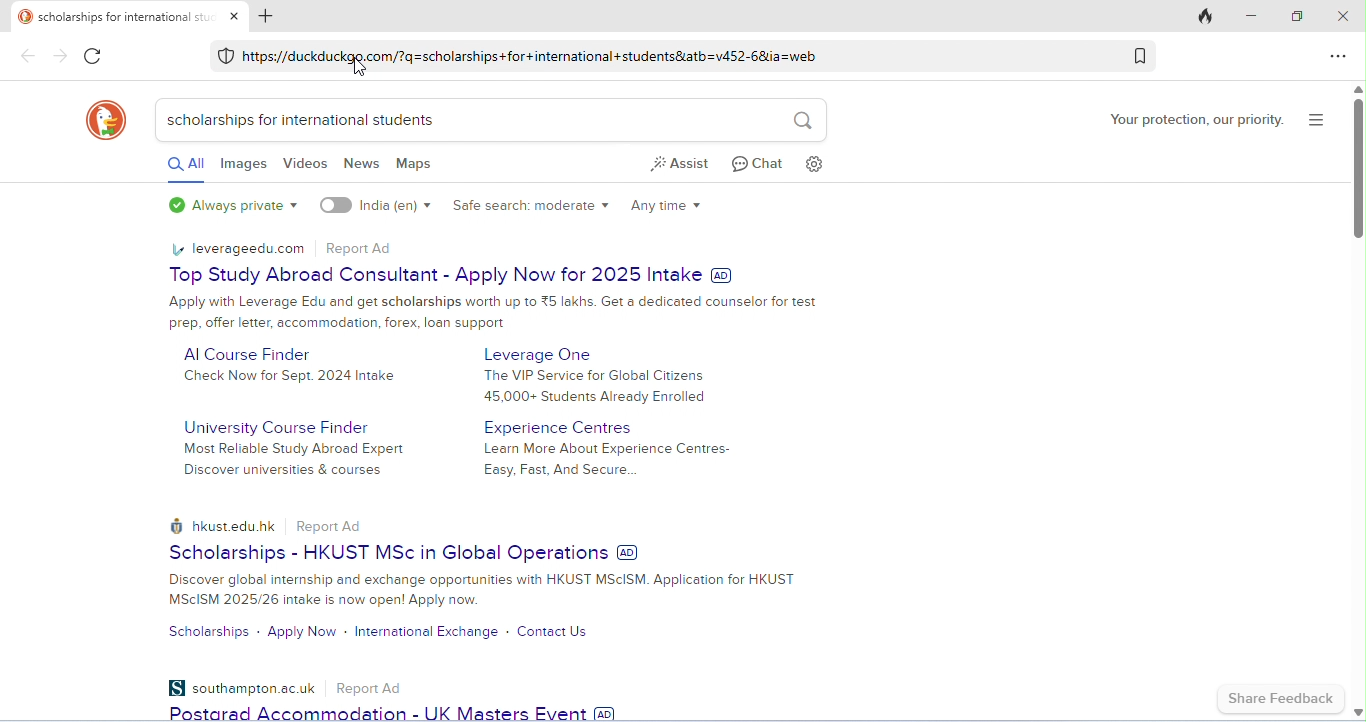 Image resolution: width=1366 pixels, height=722 pixels. What do you see at coordinates (357, 248) in the screenshot?
I see `report Ad` at bounding box center [357, 248].